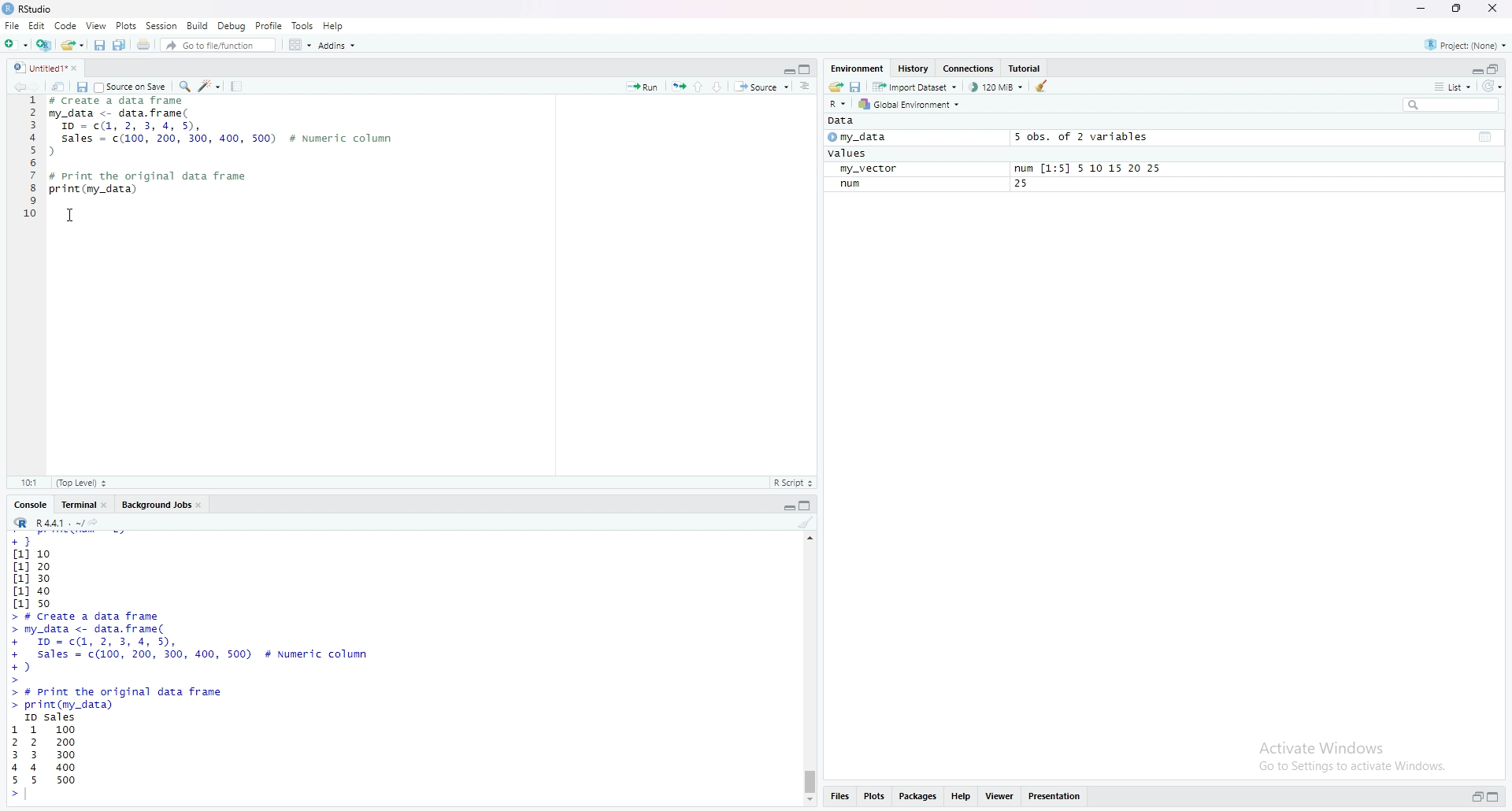 The image size is (1512, 811). I want to click on table, so click(1486, 136).